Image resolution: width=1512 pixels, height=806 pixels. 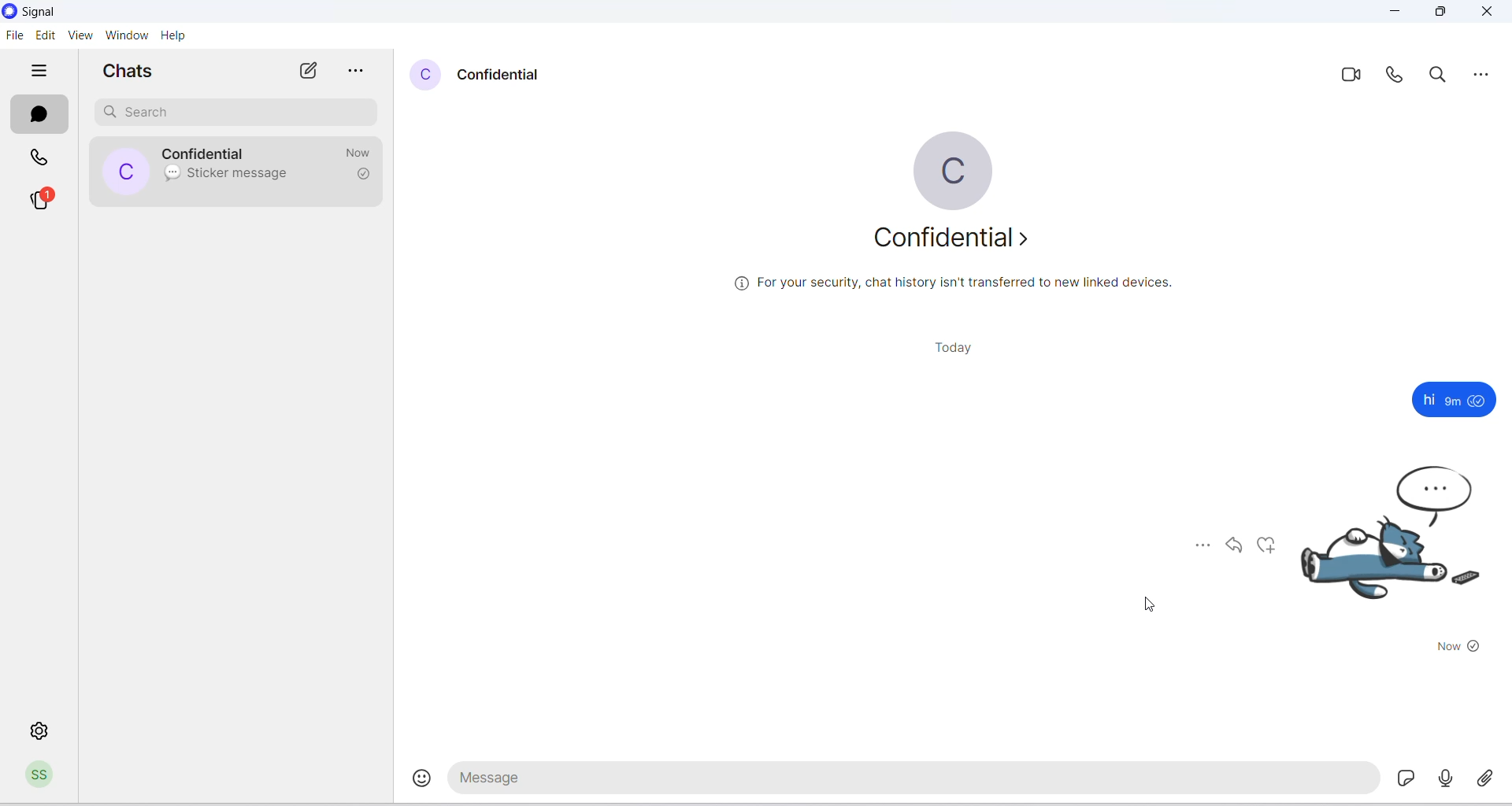 I want to click on message text area, so click(x=916, y=781).